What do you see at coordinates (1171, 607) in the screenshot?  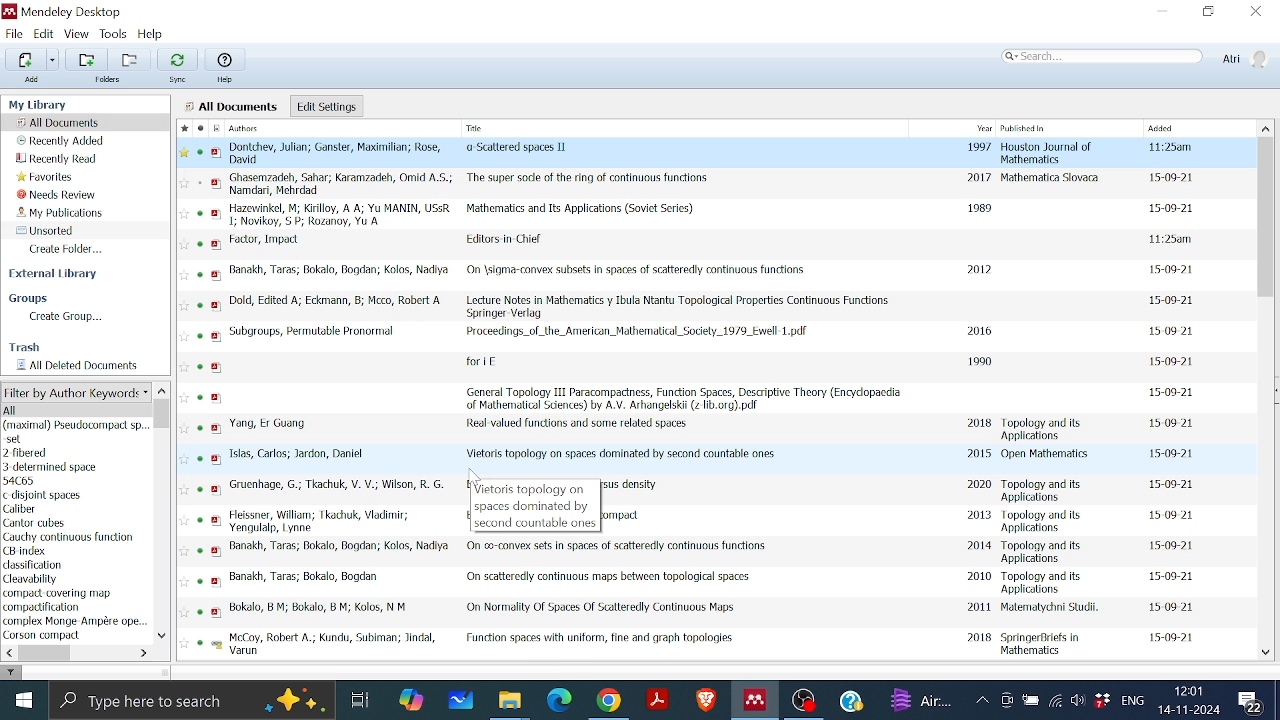 I see `daet` at bounding box center [1171, 607].